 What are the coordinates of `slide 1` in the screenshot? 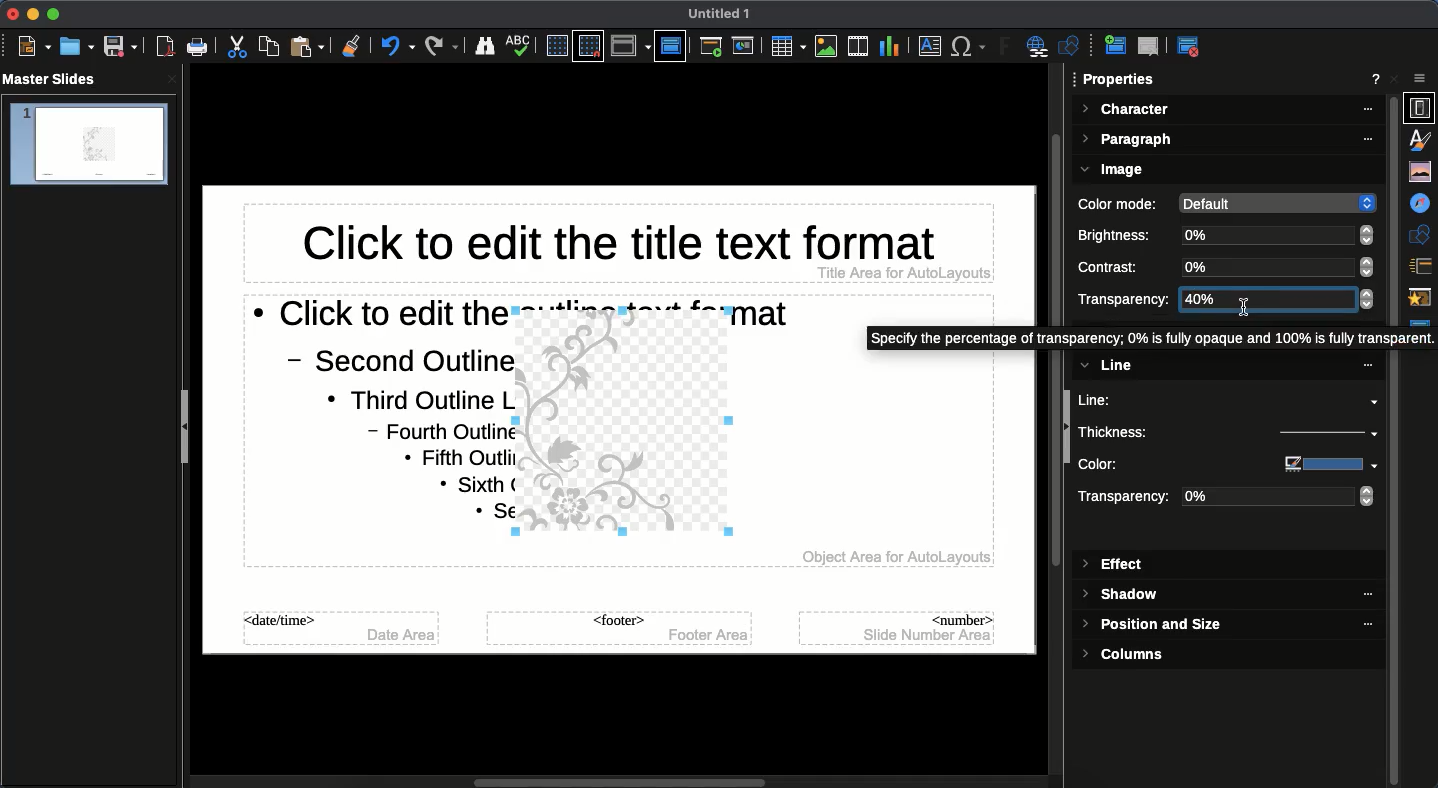 It's located at (88, 145).